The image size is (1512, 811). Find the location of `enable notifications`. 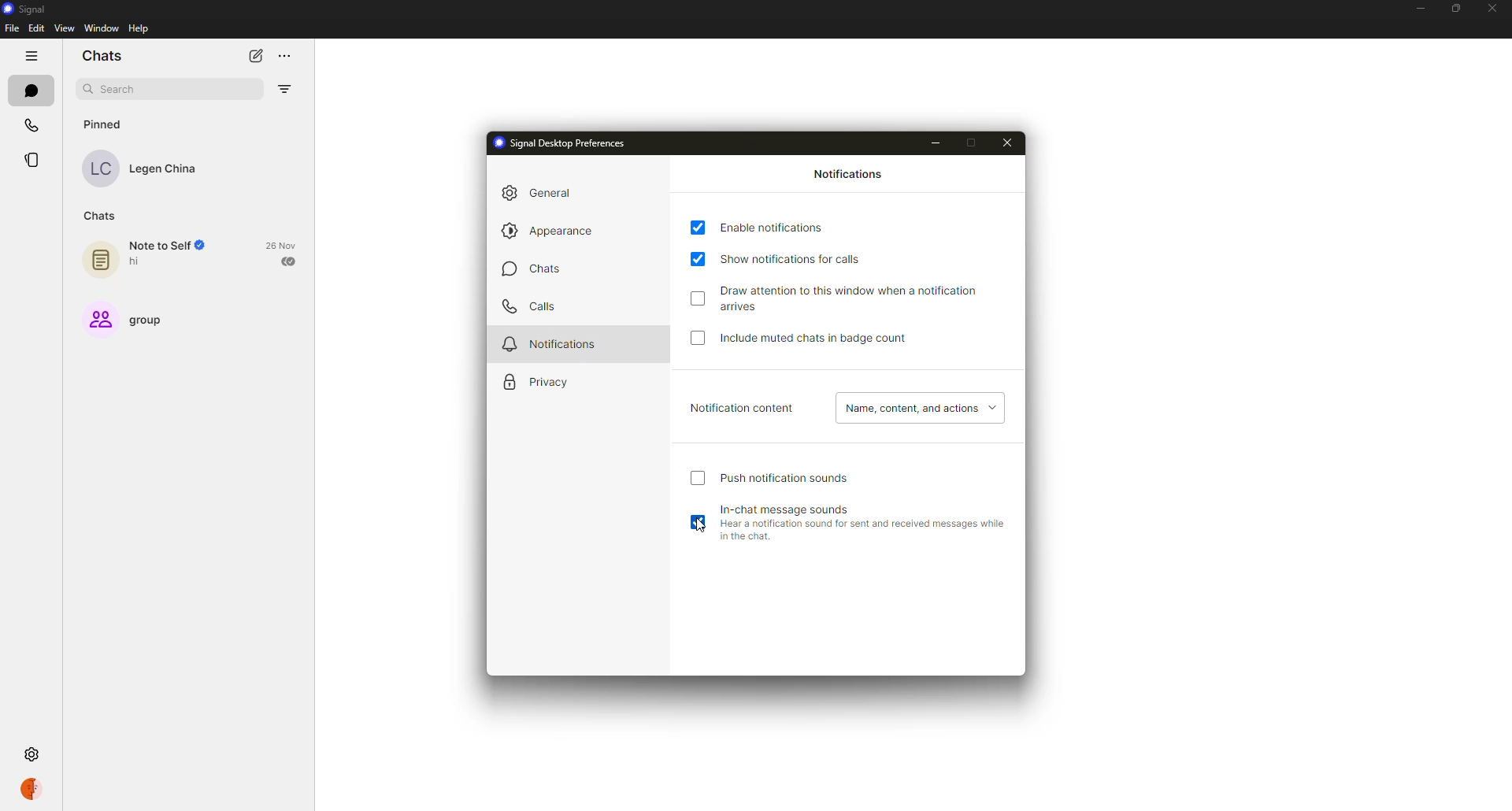

enable notifications is located at coordinates (773, 227).